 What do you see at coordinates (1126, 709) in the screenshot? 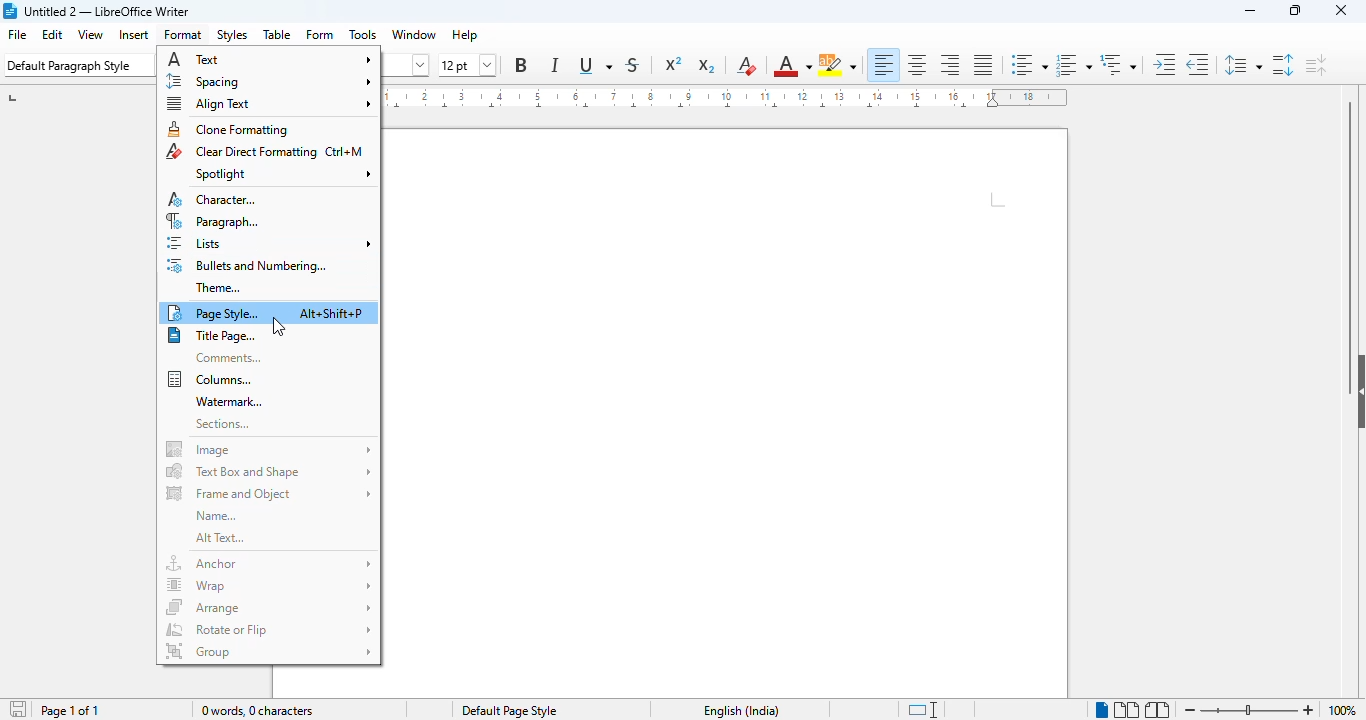
I see `multi-page view` at bounding box center [1126, 709].